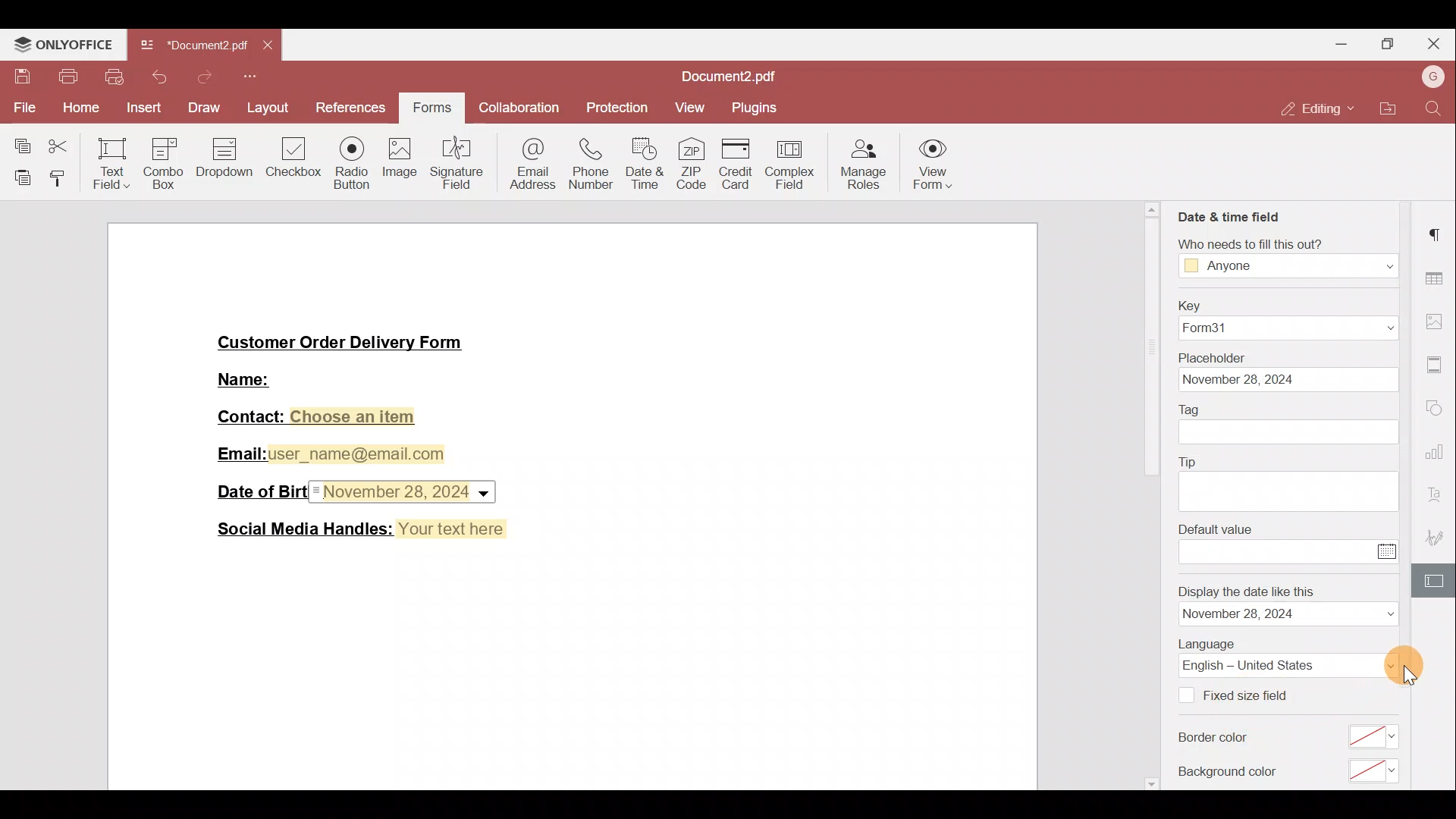 This screenshot has height=819, width=1456. I want to click on enter value, so click(1276, 551).